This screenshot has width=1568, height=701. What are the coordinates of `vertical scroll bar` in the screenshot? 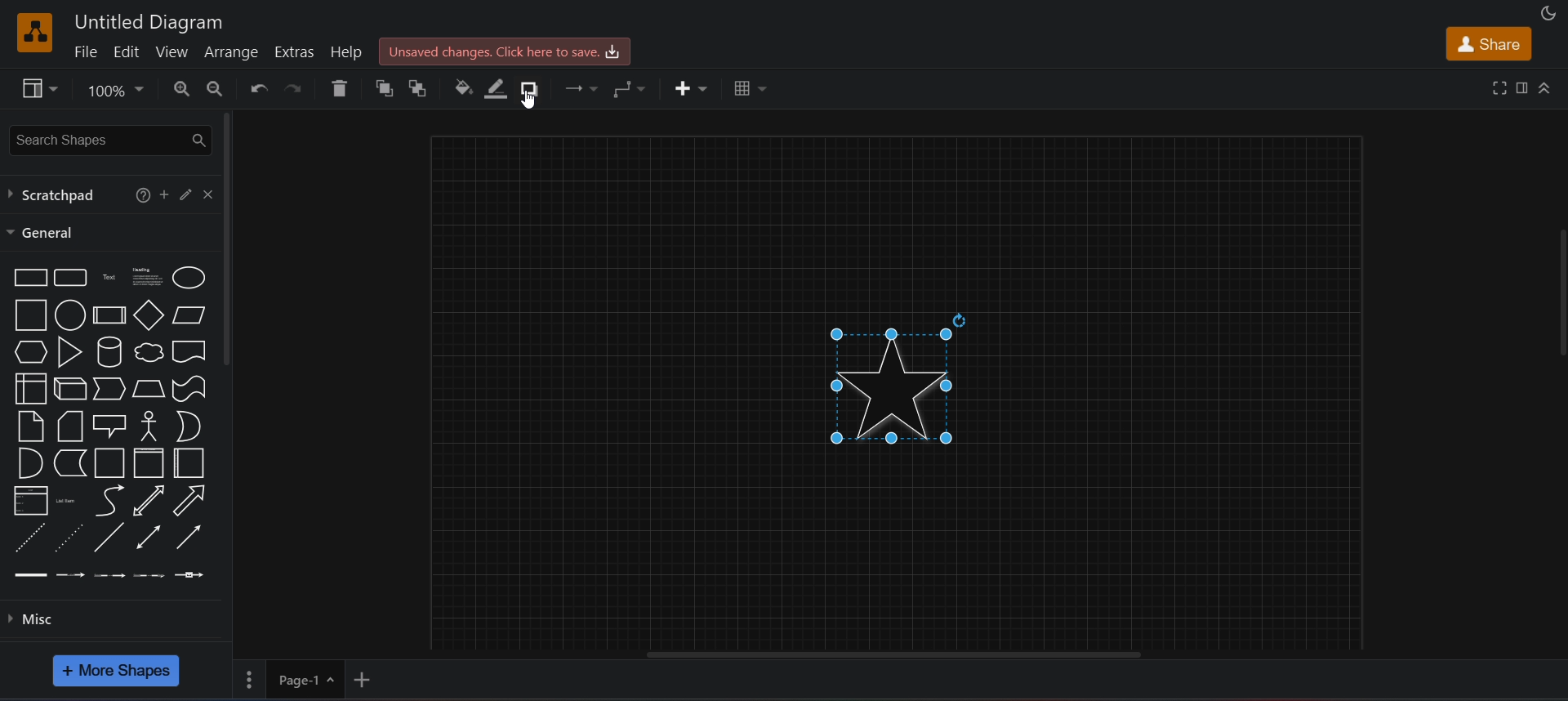 It's located at (229, 239).